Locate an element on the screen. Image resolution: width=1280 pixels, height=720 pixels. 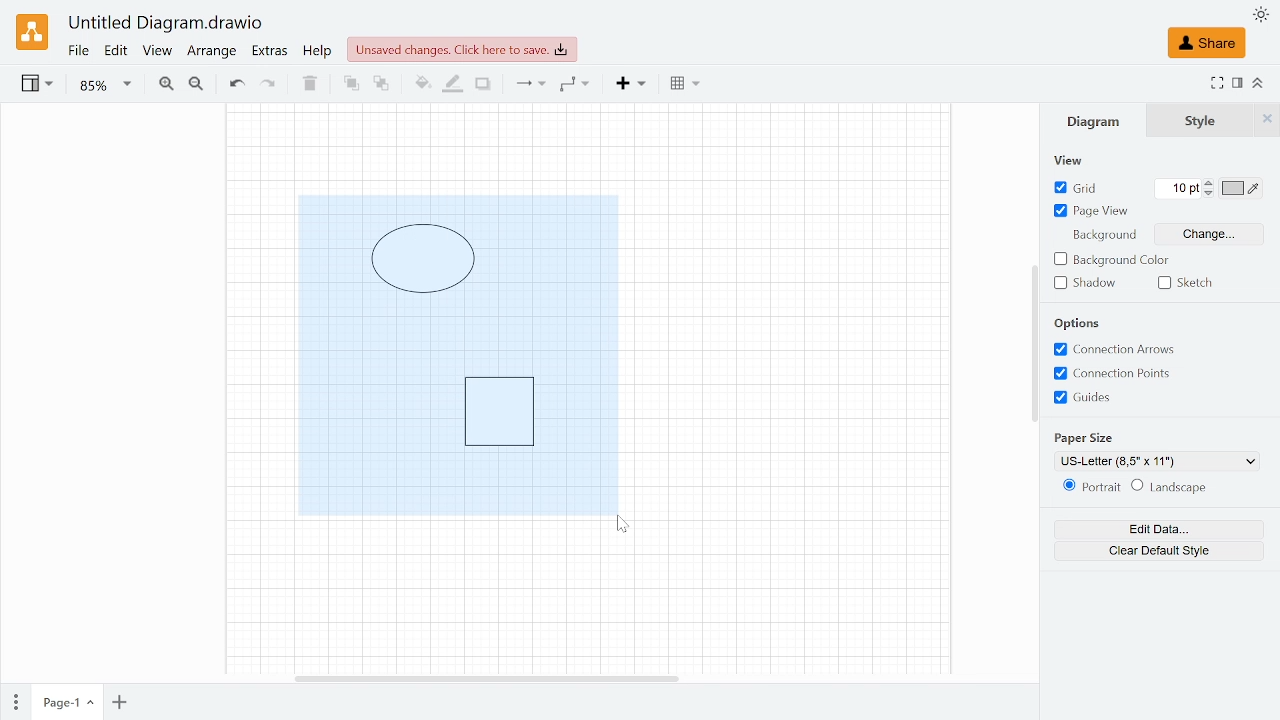
Current window is located at coordinates (167, 24).